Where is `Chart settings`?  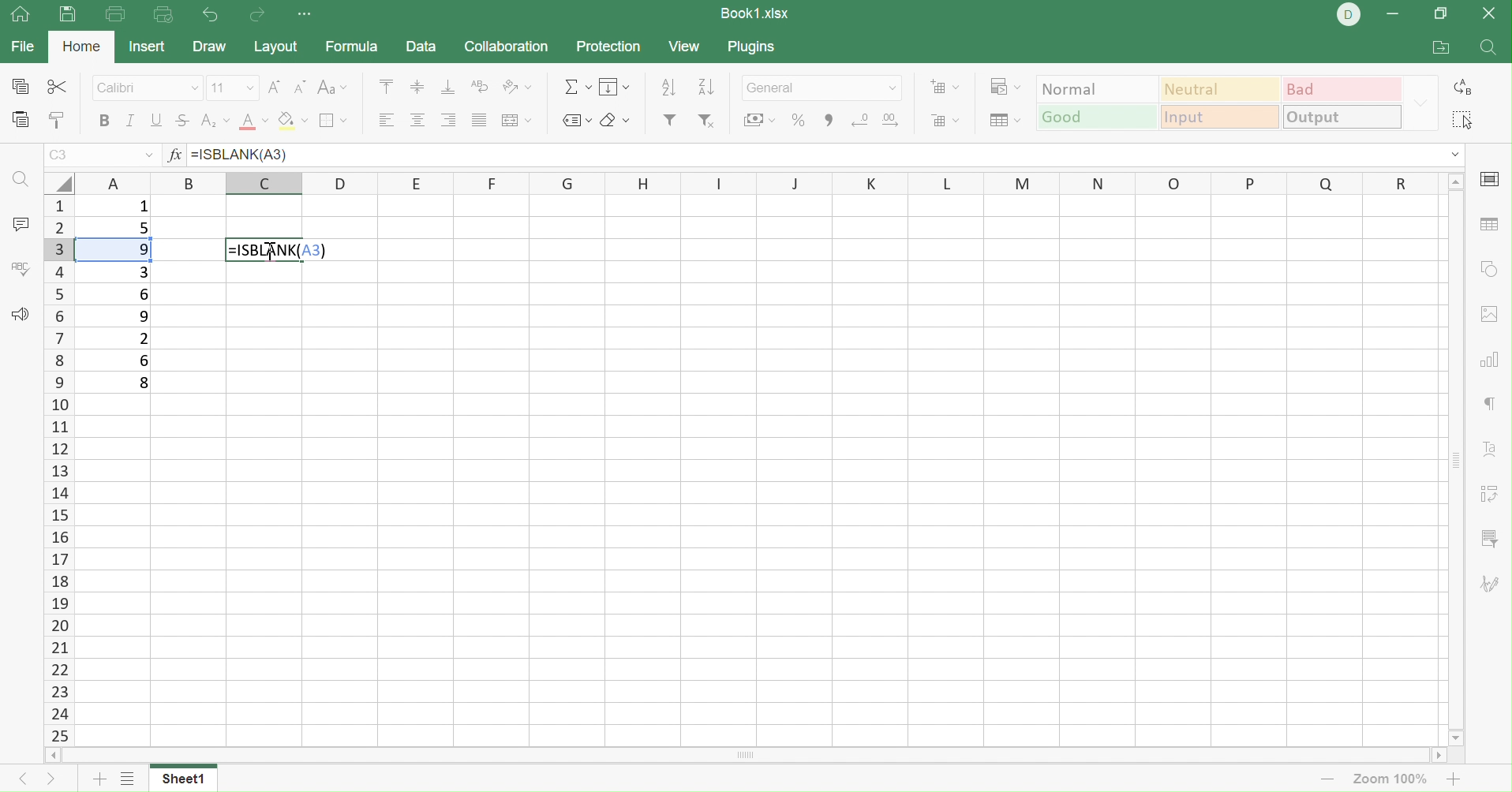 Chart settings is located at coordinates (1491, 357).